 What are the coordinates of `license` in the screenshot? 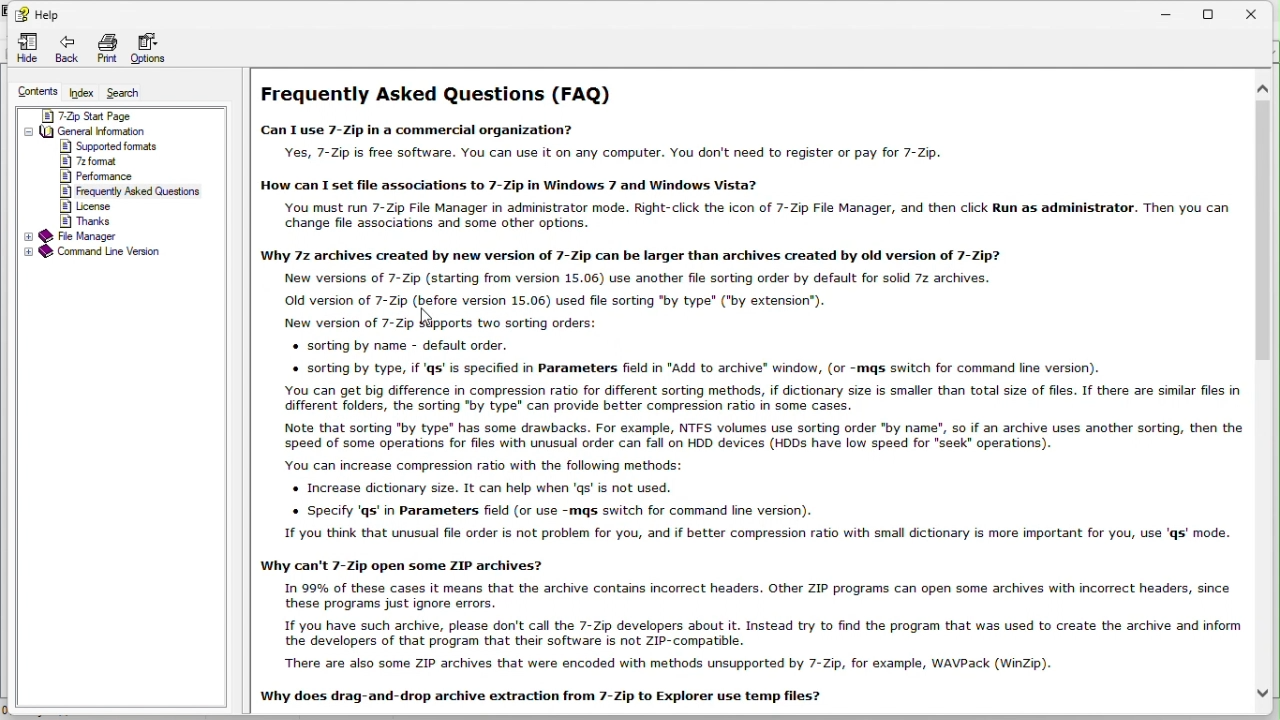 It's located at (85, 206).